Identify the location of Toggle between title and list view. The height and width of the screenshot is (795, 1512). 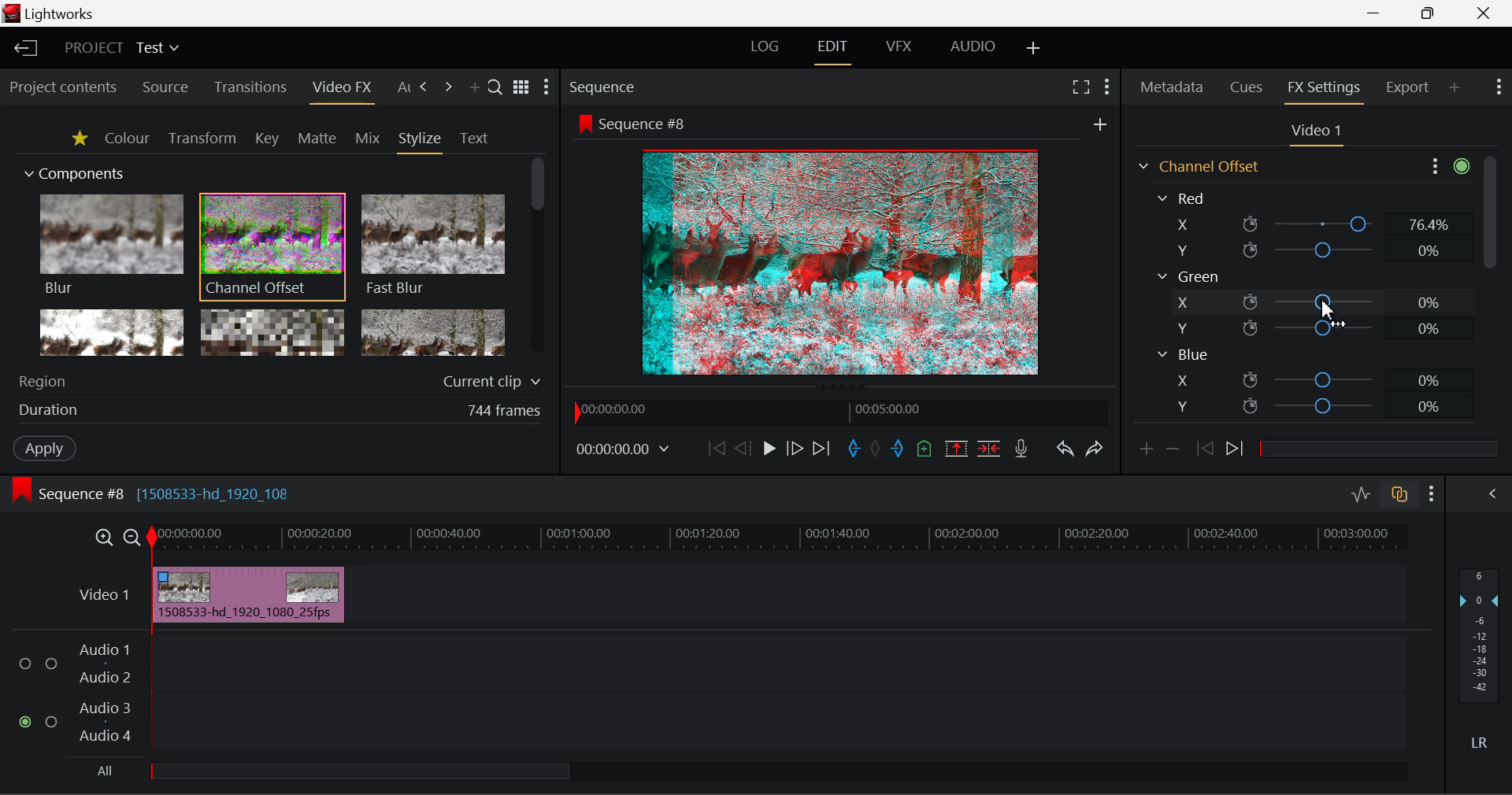
(521, 84).